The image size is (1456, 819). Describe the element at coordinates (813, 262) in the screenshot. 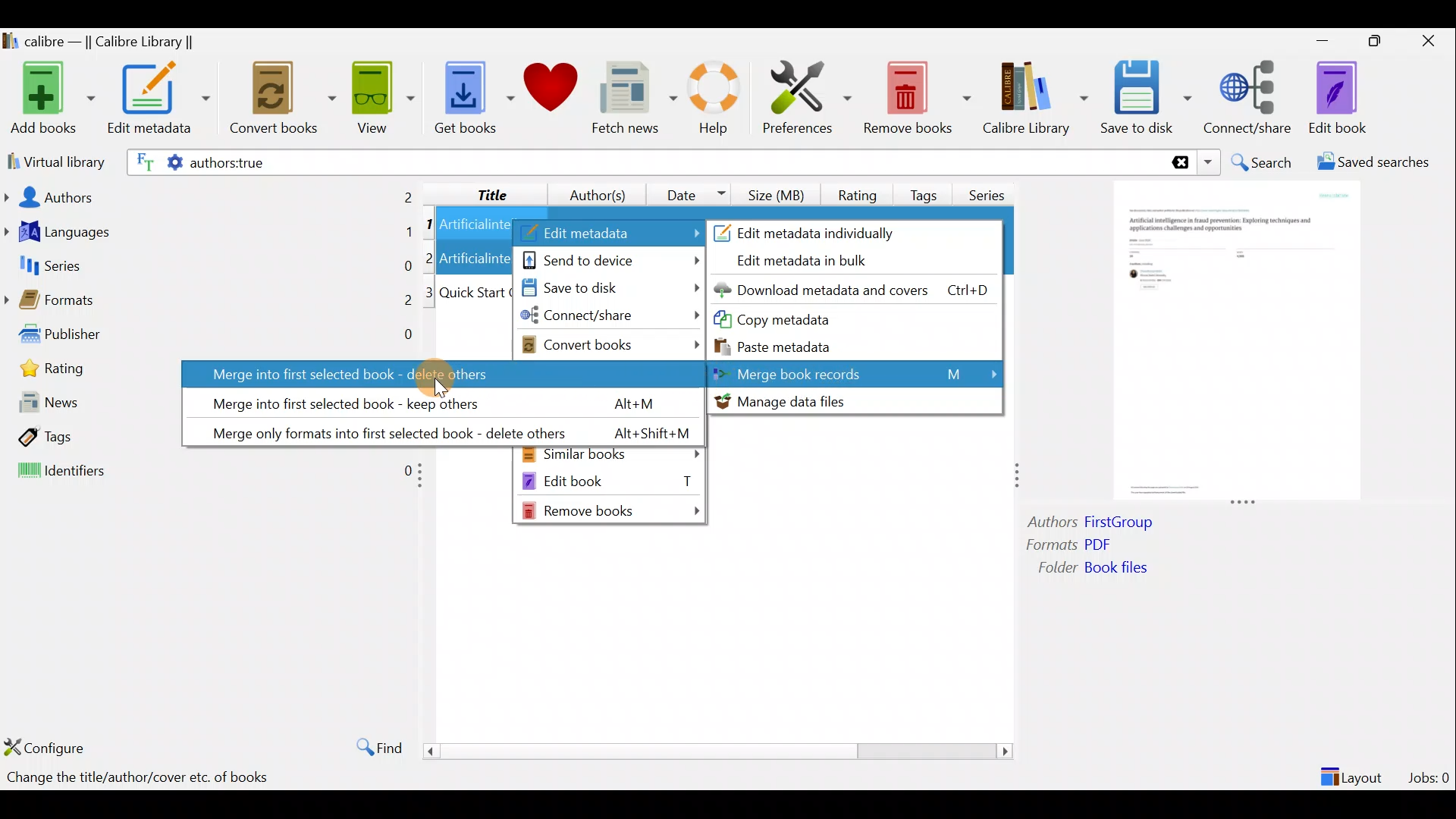

I see `Edit metadata in bulk` at that location.